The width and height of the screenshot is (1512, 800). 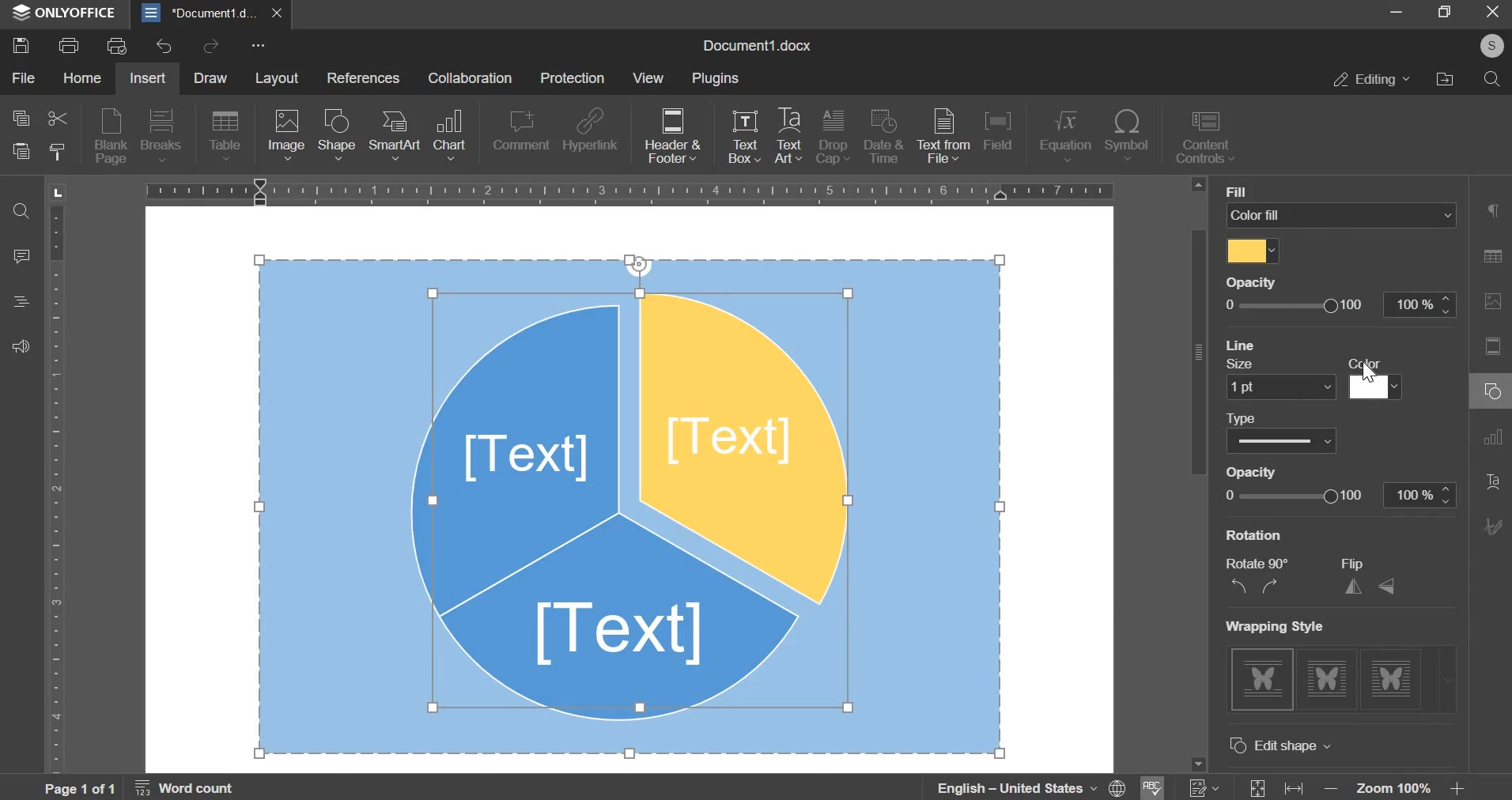 I want to click on line type, so click(x=1282, y=440).